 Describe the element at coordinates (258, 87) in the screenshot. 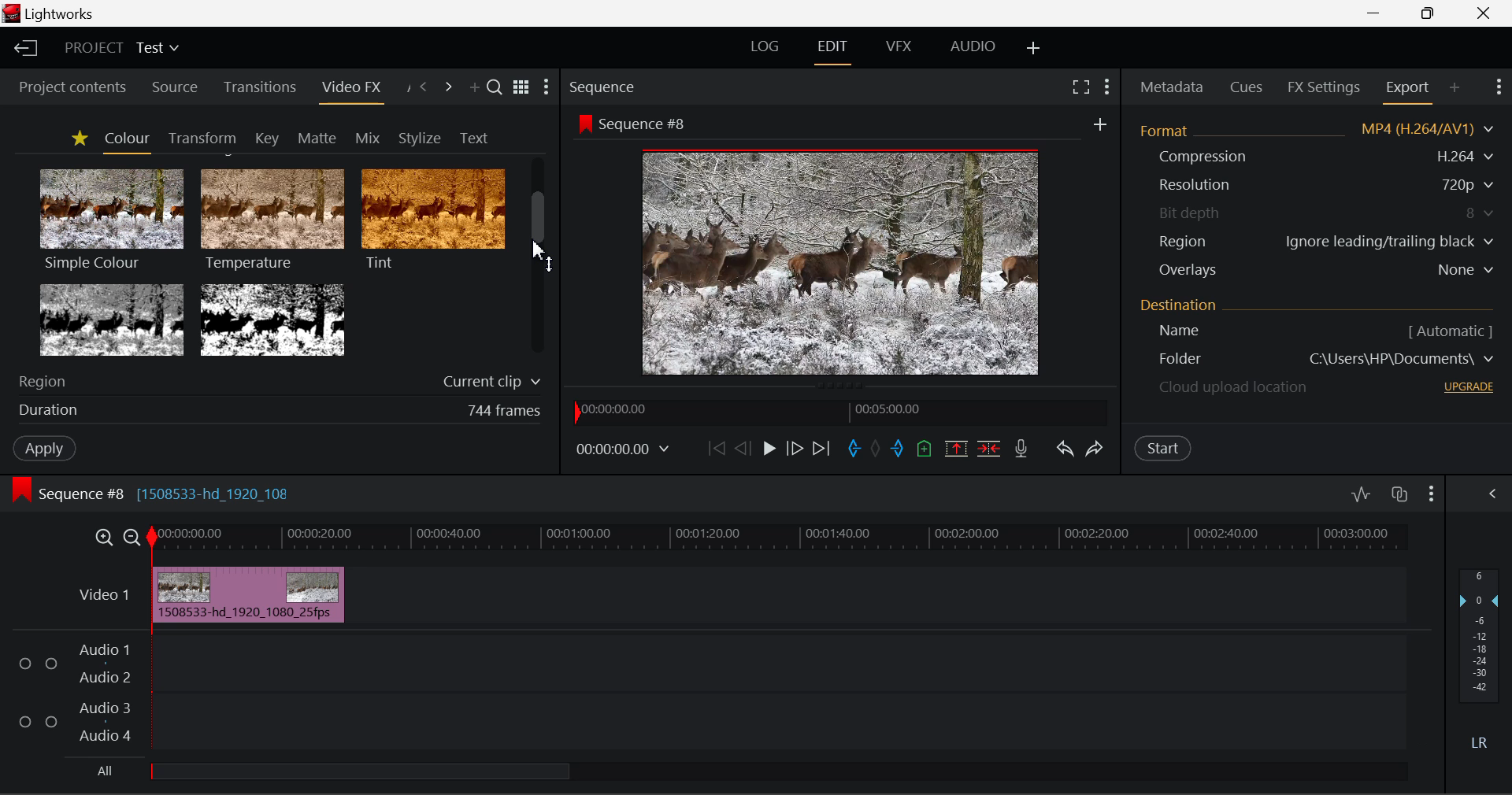

I see `Transitions` at that location.